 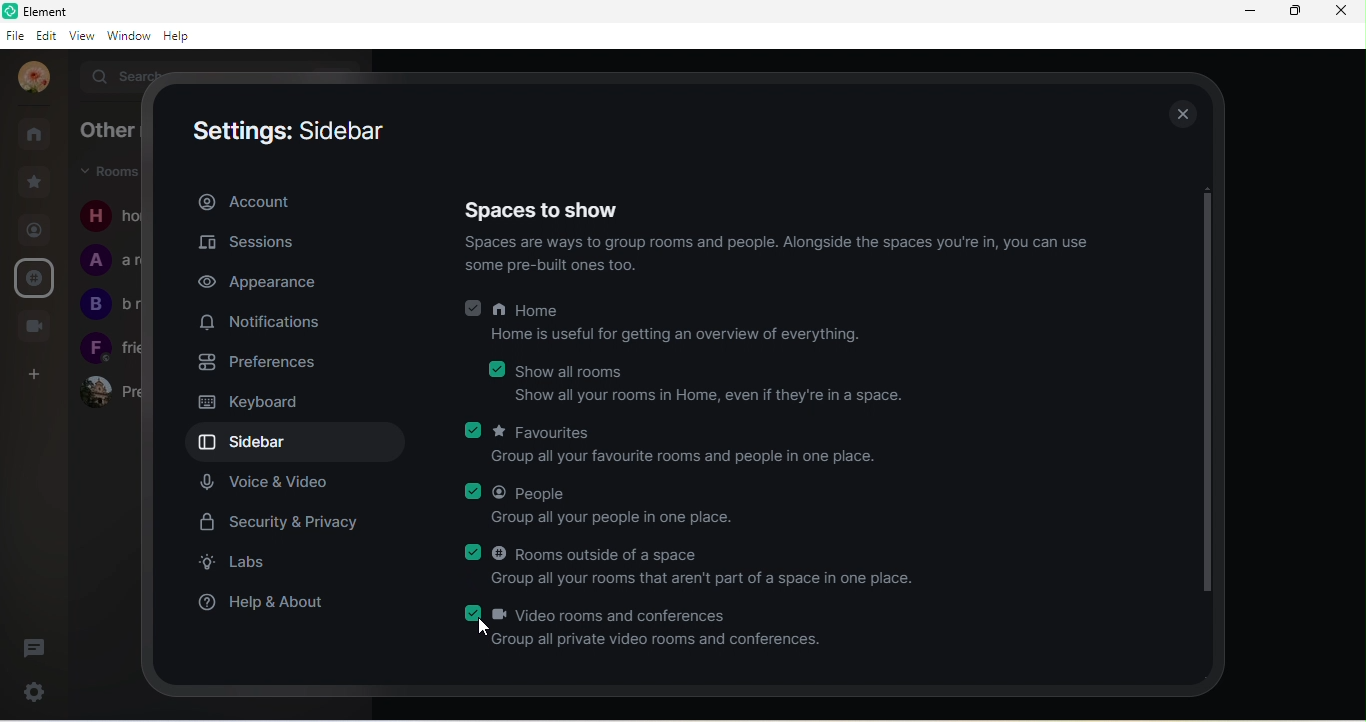 What do you see at coordinates (252, 563) in the screenshot?
I see `labs` at bounding box center [252, 563].